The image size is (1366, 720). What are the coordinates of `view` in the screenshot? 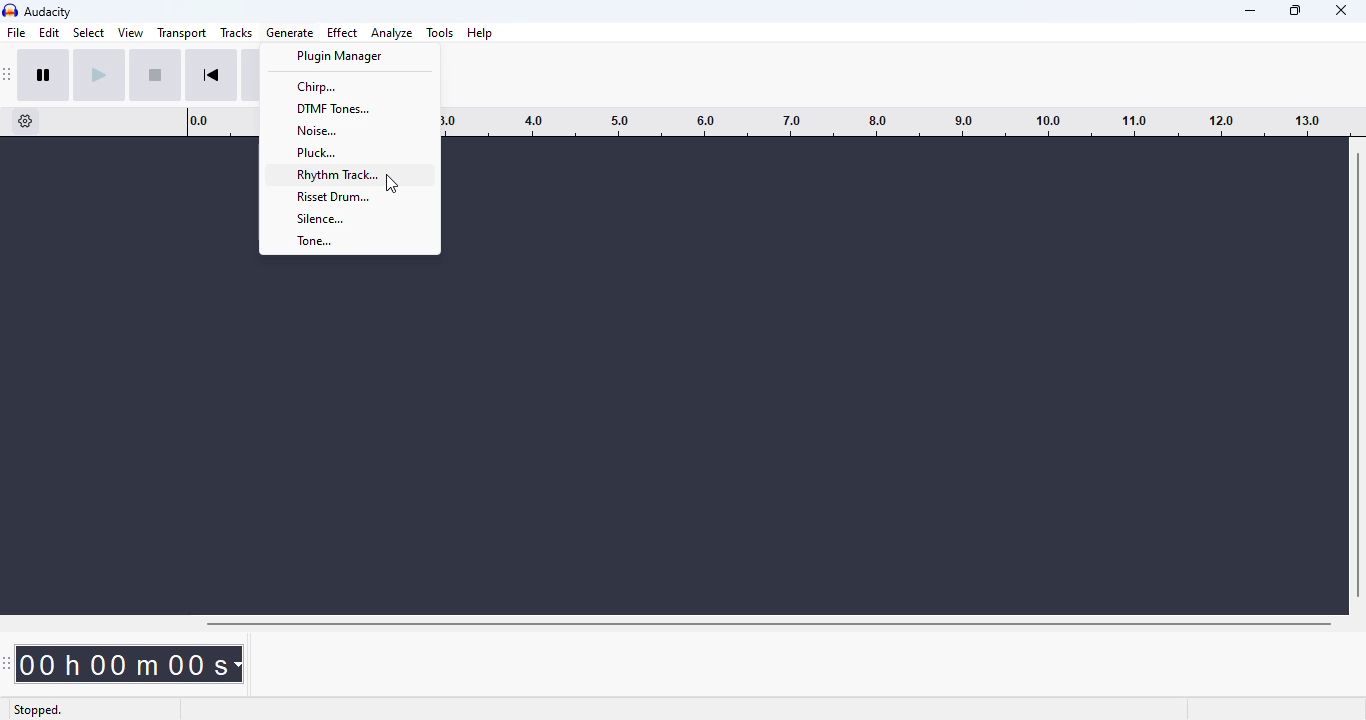 It's located at (131, 32).